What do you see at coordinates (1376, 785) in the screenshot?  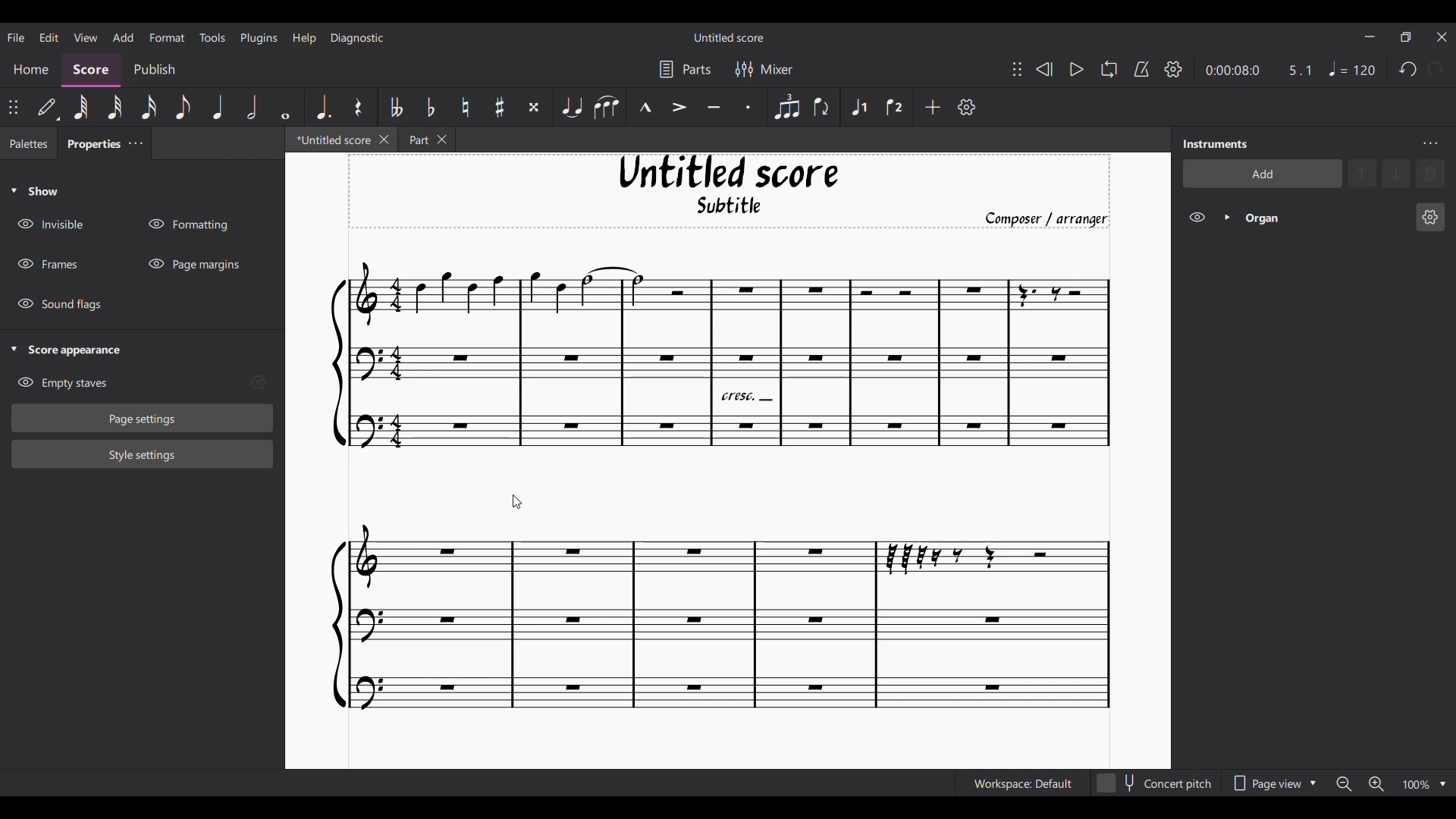 I see `Zoom in` at bounding box center [1376, 785].